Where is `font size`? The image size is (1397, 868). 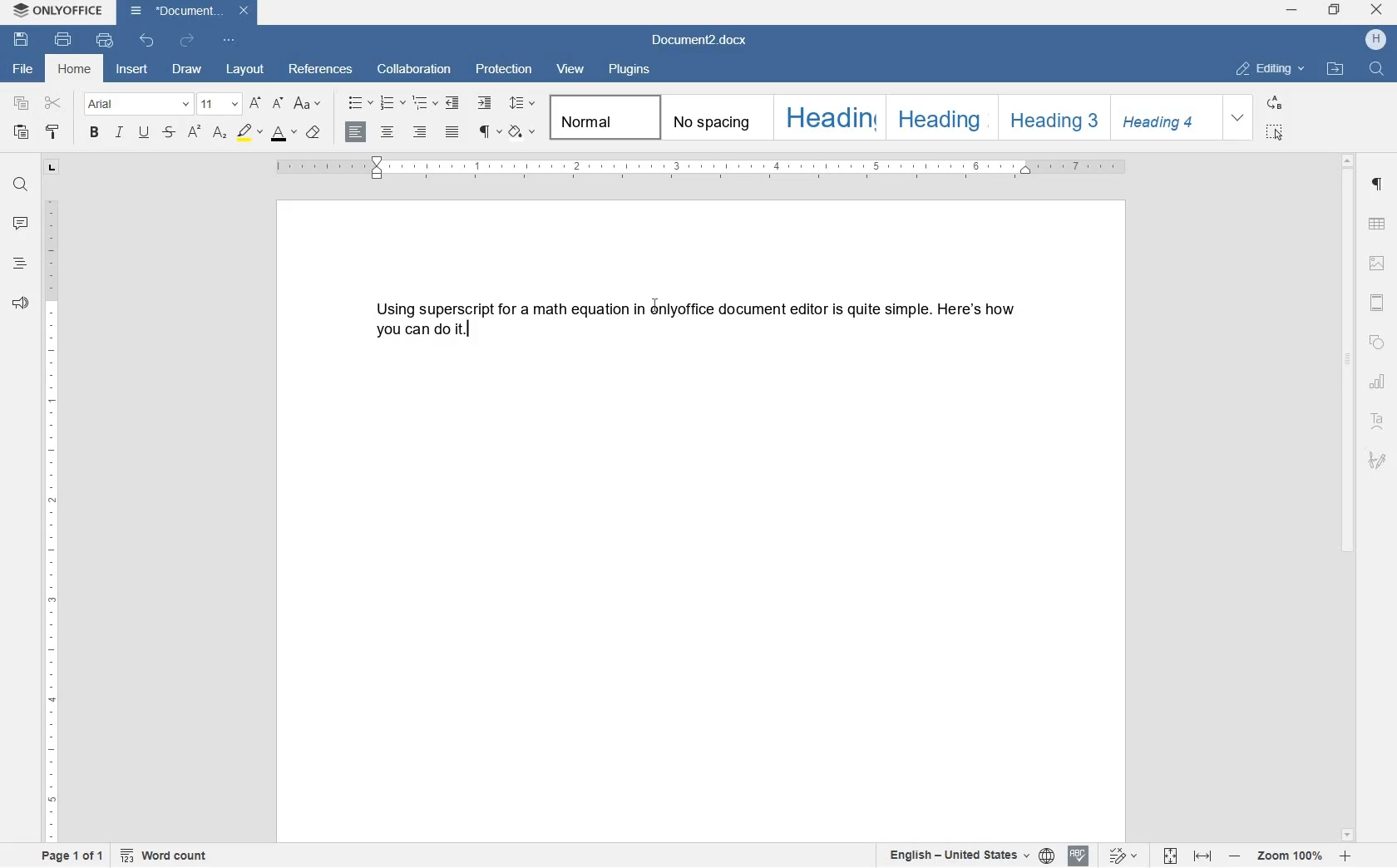
font size is located at coordinates (219, 103).